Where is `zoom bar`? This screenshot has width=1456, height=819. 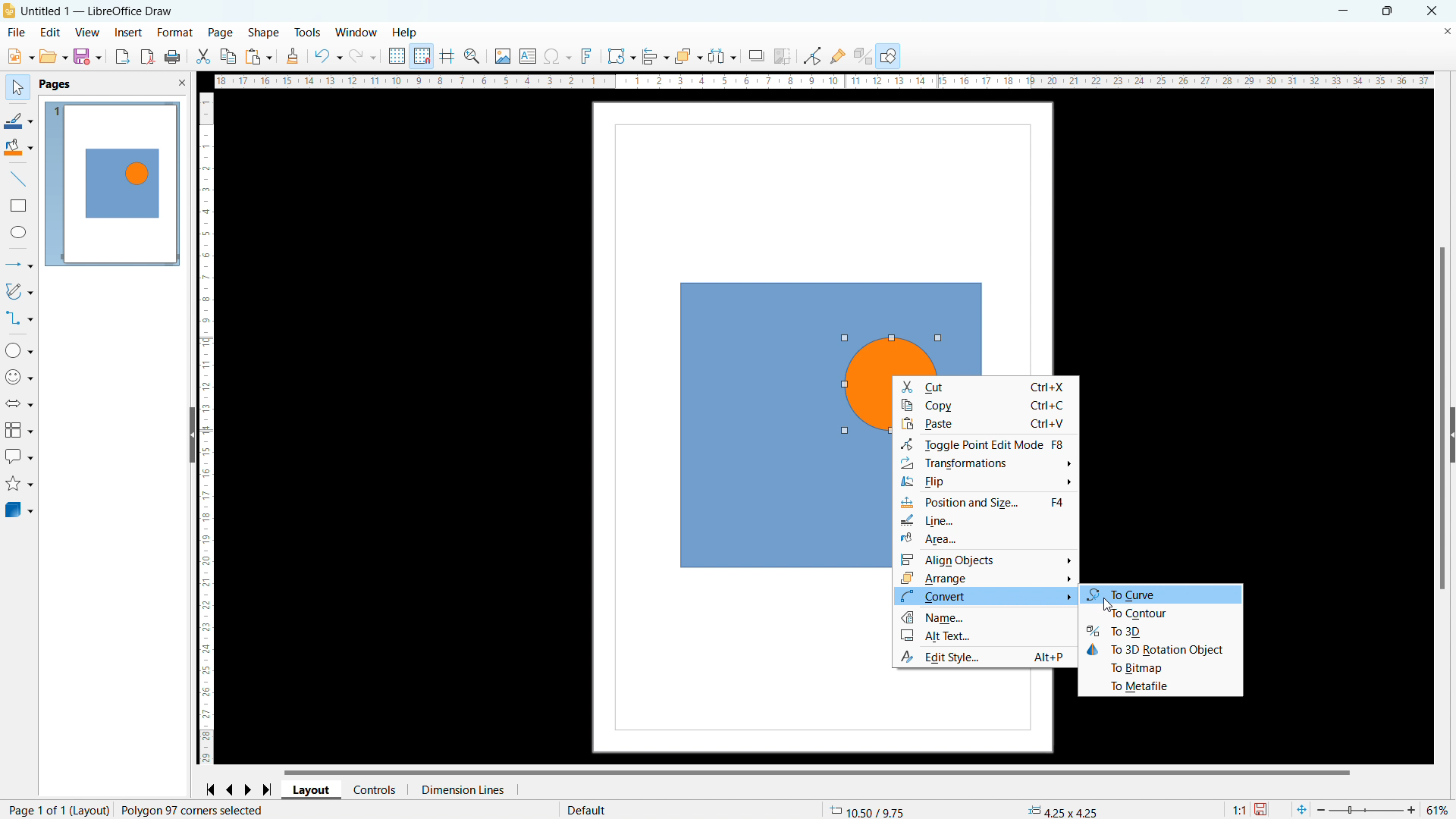 zoom bar is located at coordinates (1370, 808).